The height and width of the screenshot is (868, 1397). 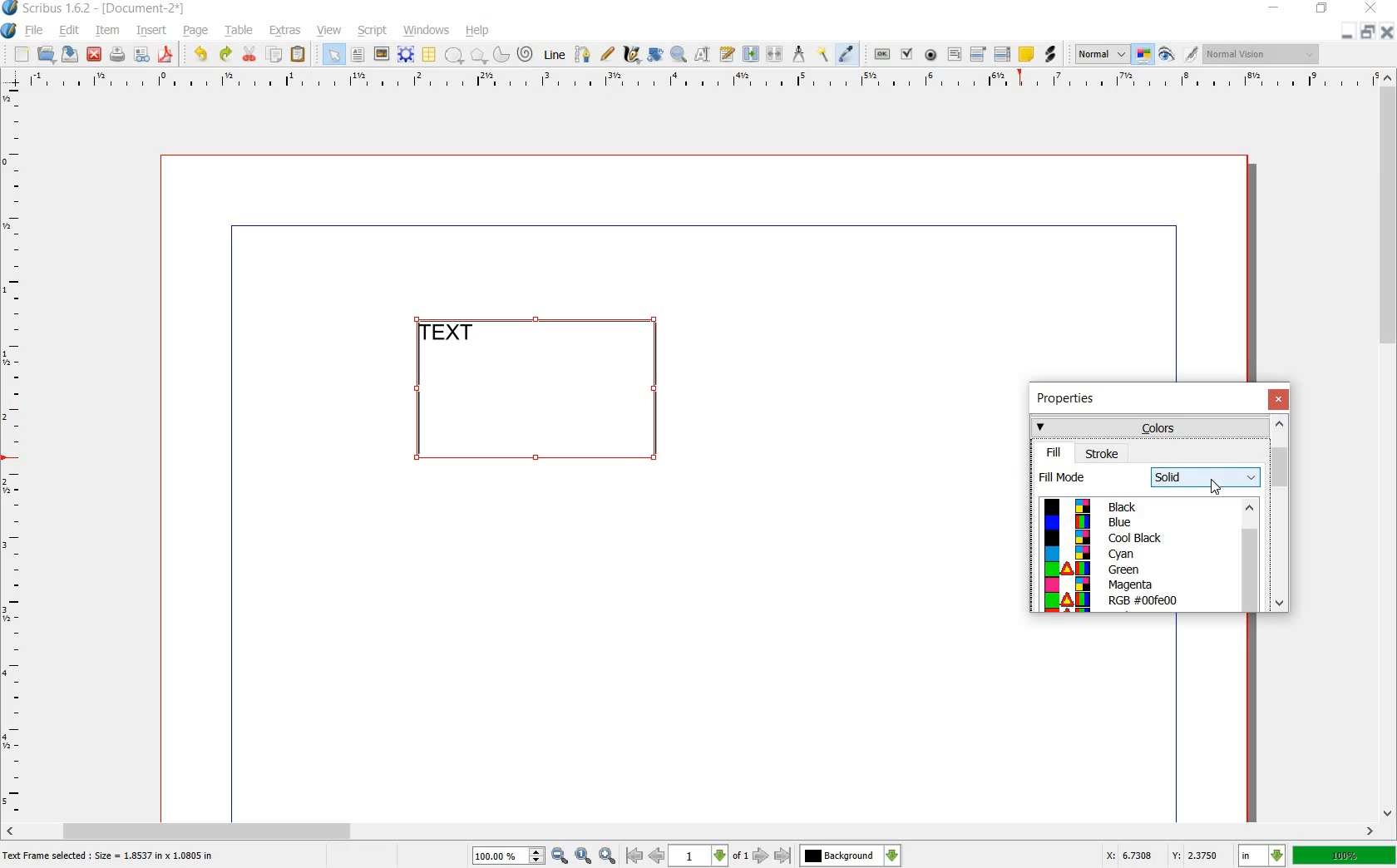 I want to click on scribus 1.6.2 - [document-2*], so click(x=110, y=9).